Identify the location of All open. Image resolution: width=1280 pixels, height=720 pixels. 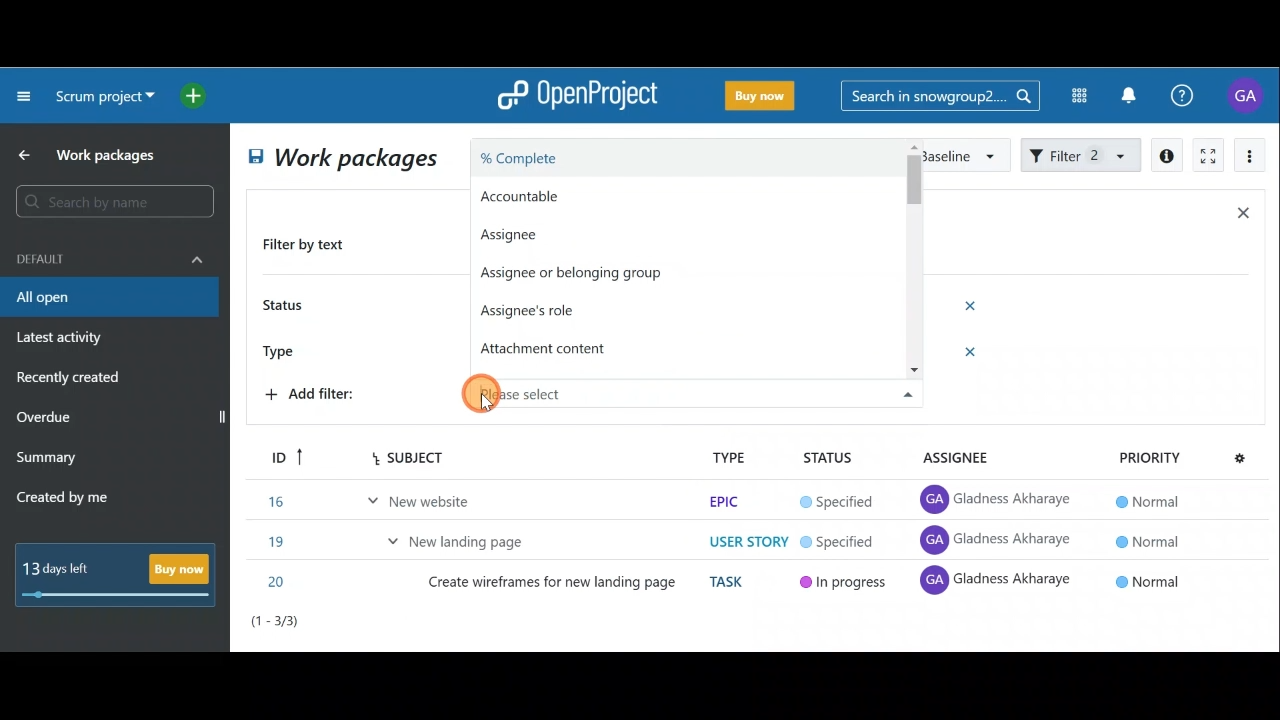
(340, 160).